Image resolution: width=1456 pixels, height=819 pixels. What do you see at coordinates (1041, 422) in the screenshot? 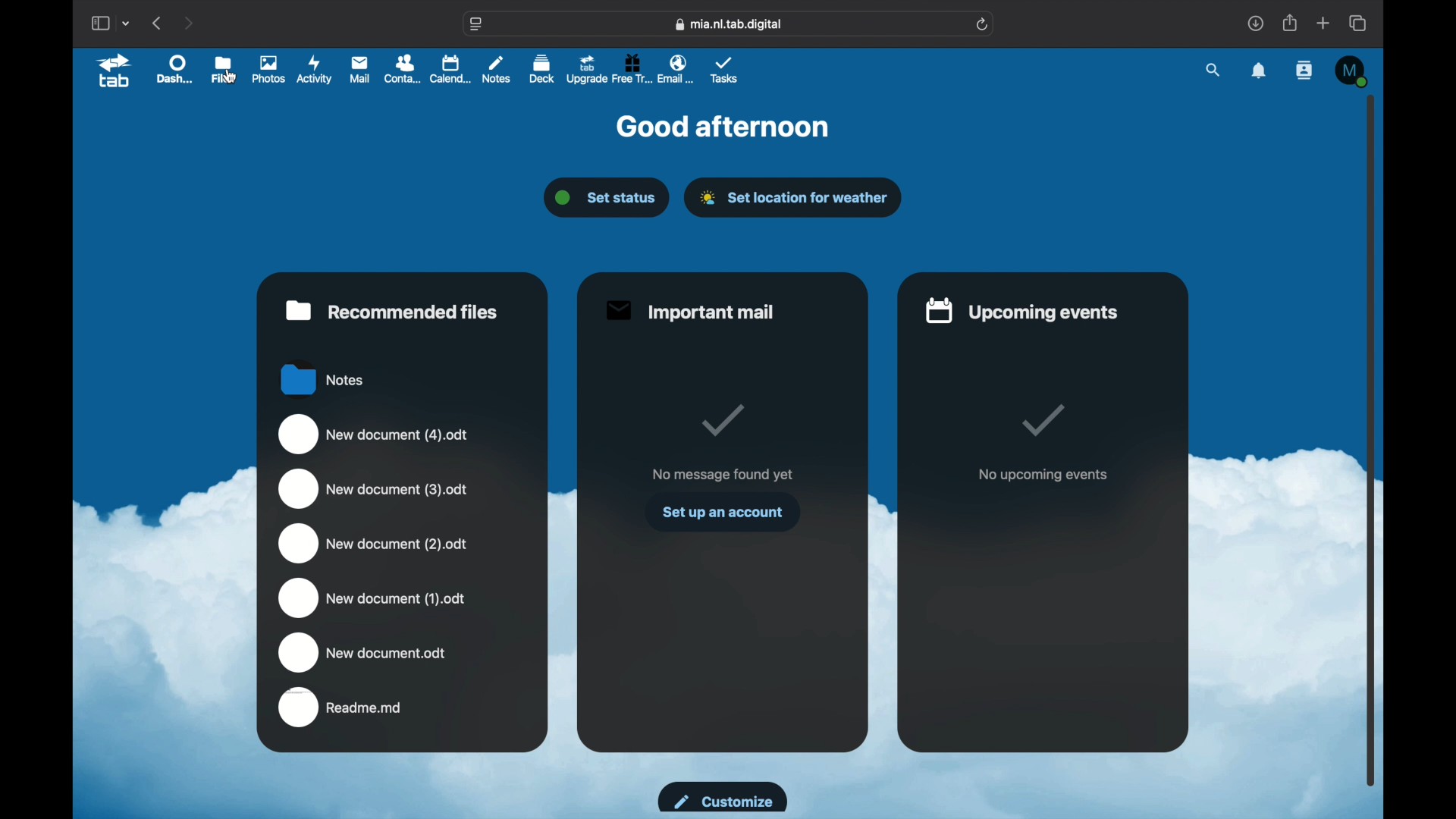
I see `tick mark` at bounding box center [1041, 422].